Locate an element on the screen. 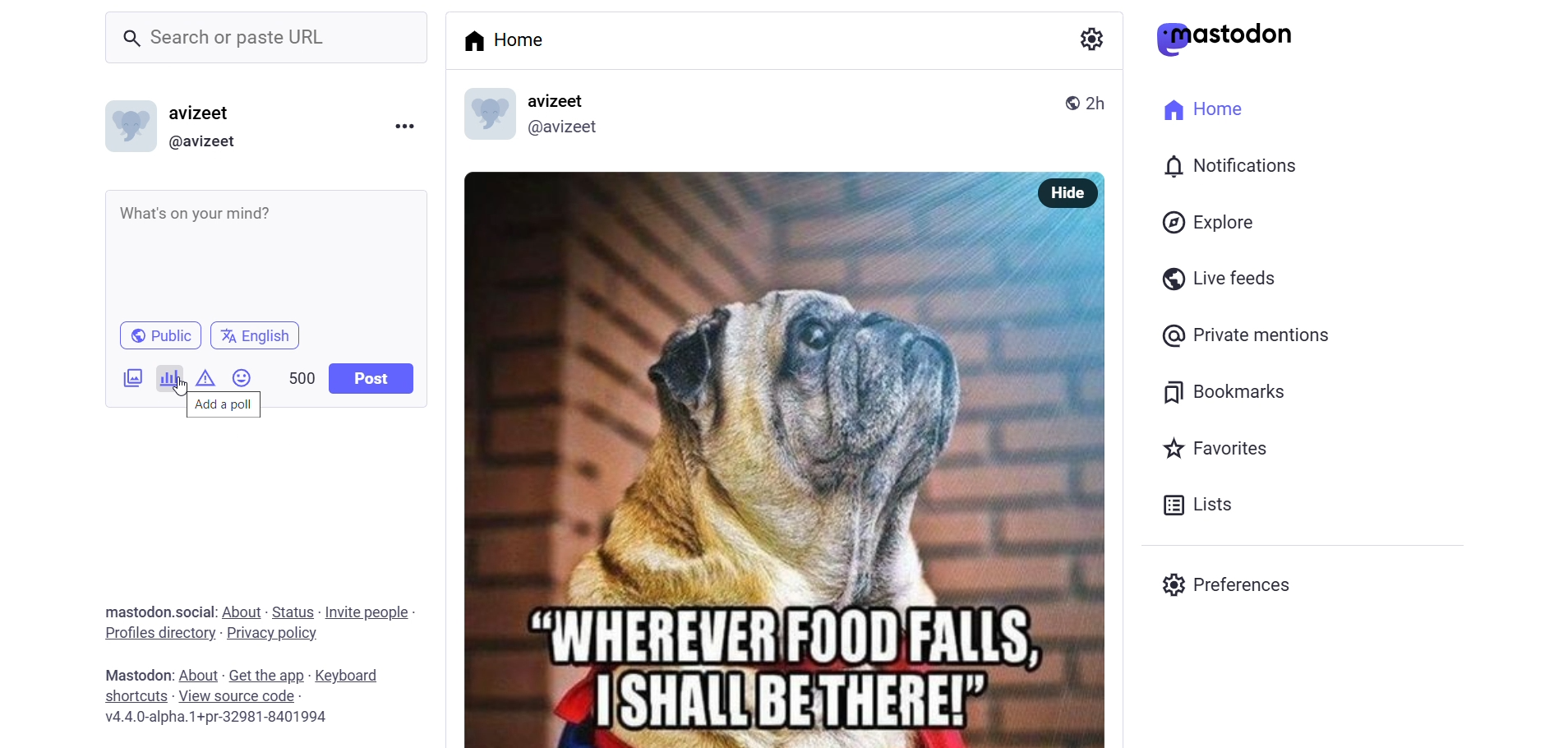  avizeet is located at coordinates (204, 115).